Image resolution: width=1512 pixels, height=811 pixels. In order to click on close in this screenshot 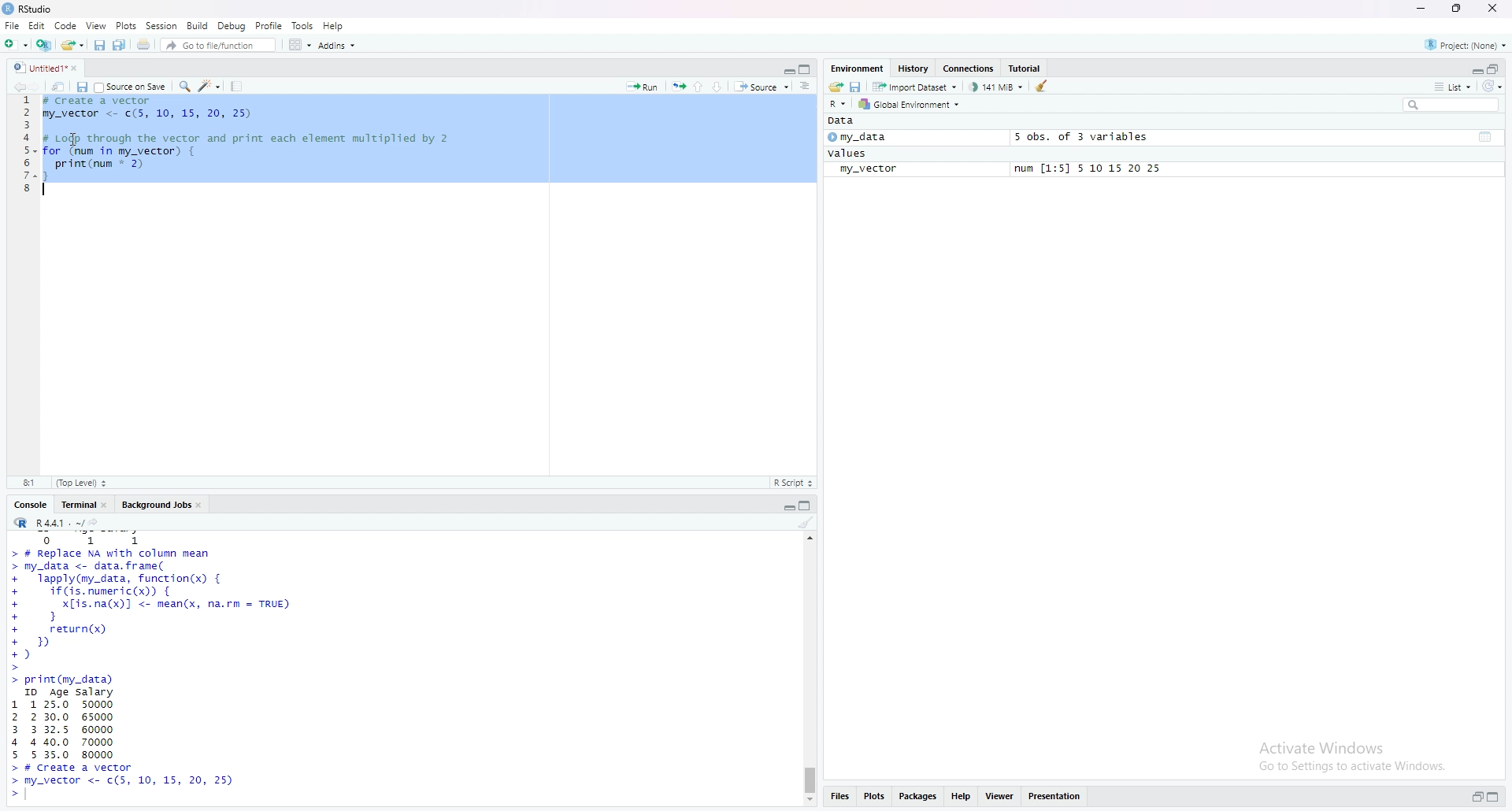, I will do `click(1495, 9)`.